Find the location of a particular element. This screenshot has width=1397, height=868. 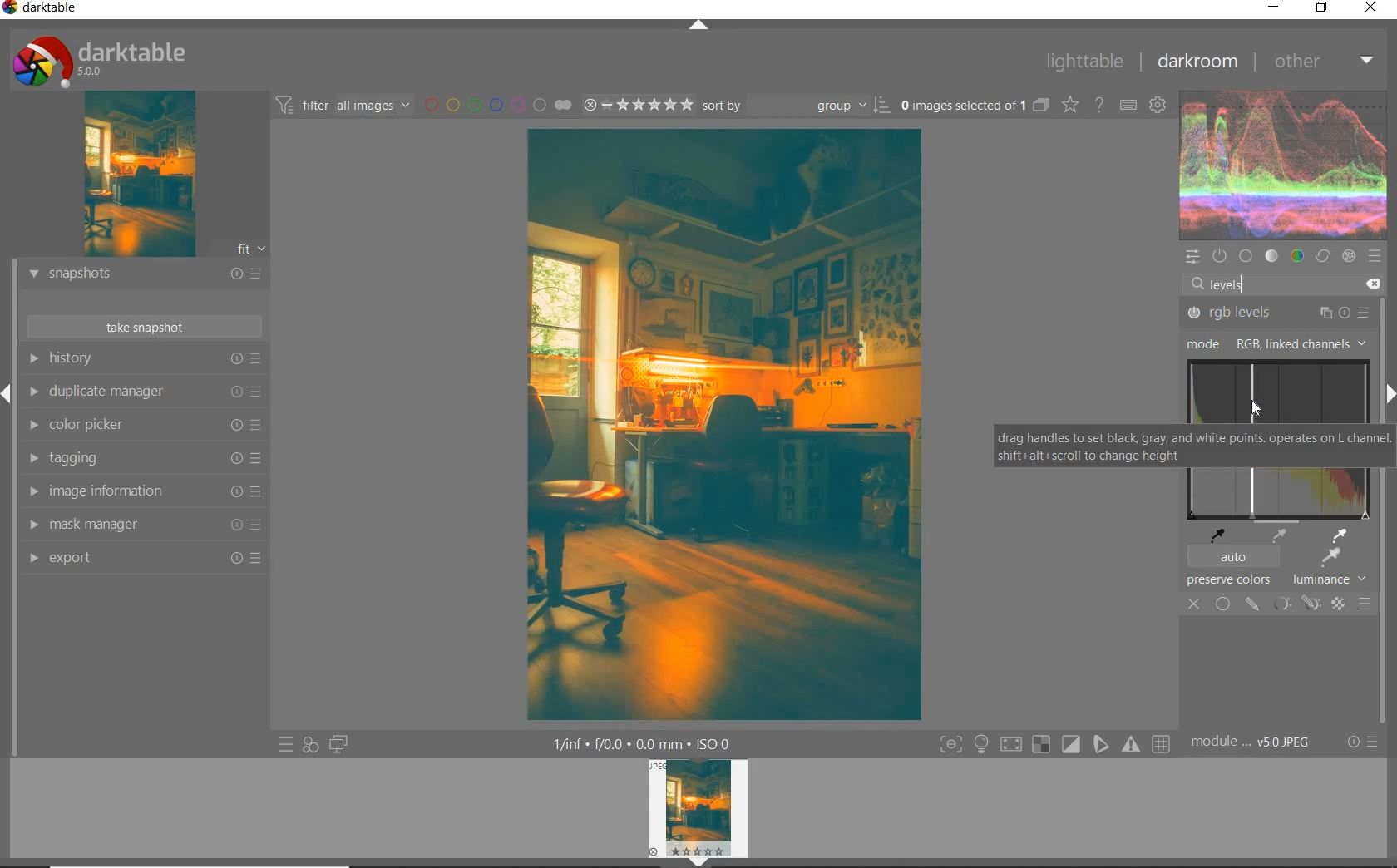

apply auto levels based on region is located at coordinates (1329, 558).